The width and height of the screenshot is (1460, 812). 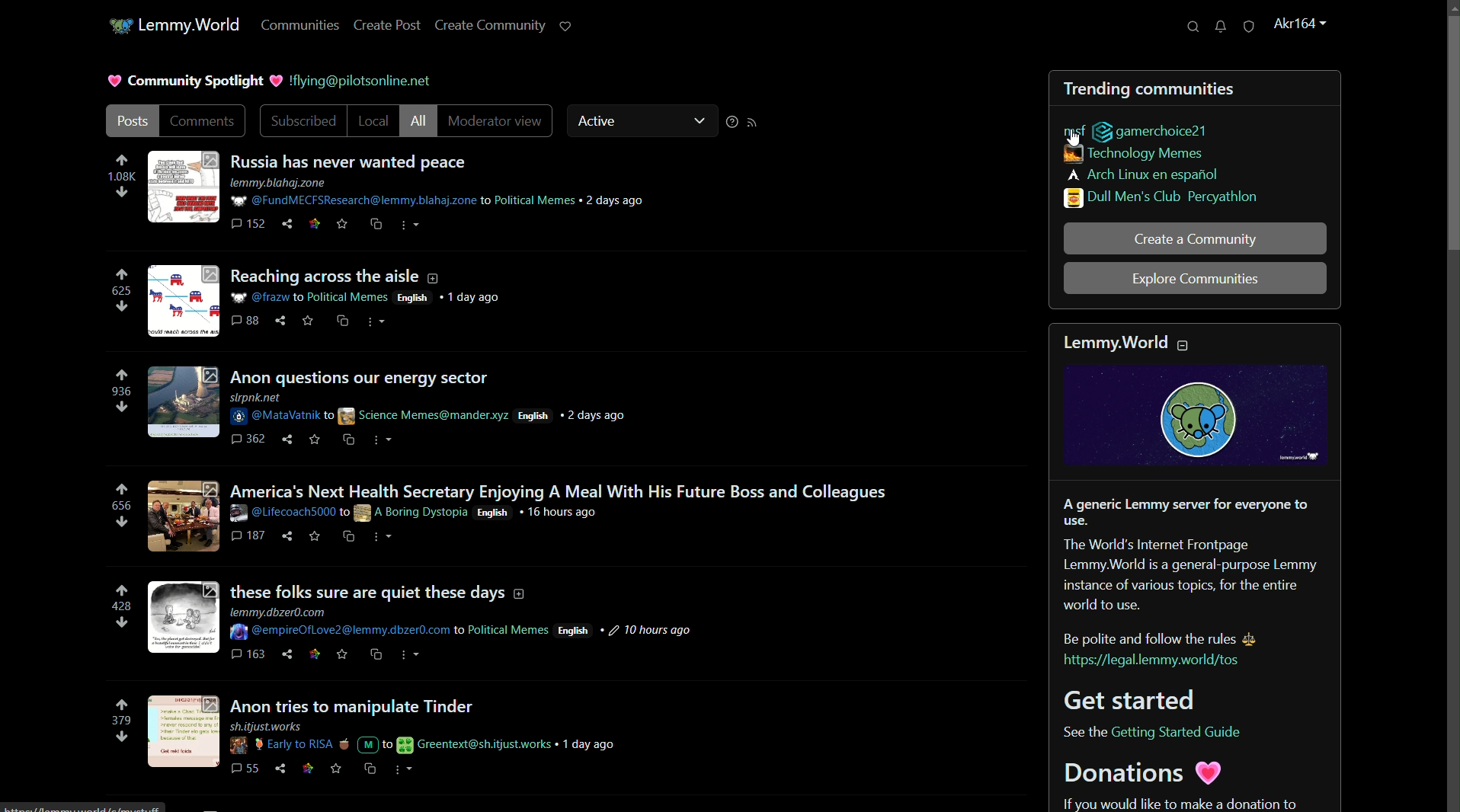 What do you see at coordinates (1194, 27) in the screenshot?
I see `search` at bounding box center [1194, 27].